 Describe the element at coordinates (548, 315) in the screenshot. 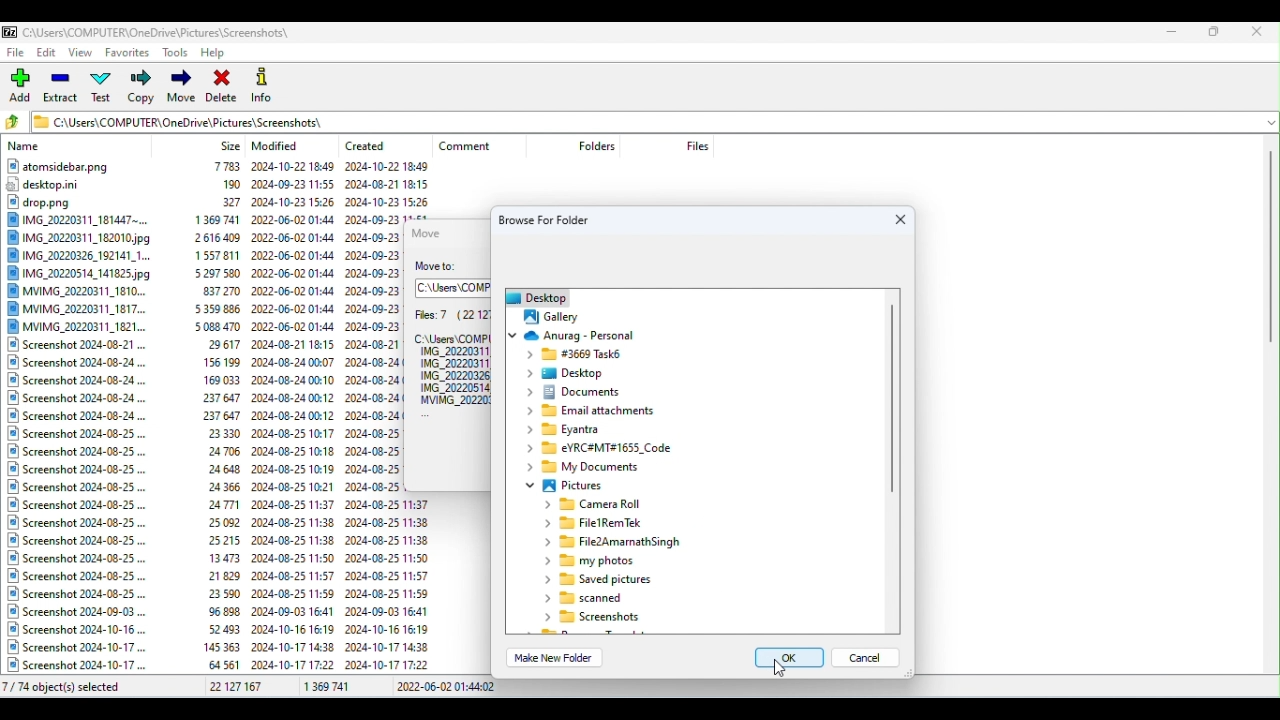

I see `cursor` at that location.